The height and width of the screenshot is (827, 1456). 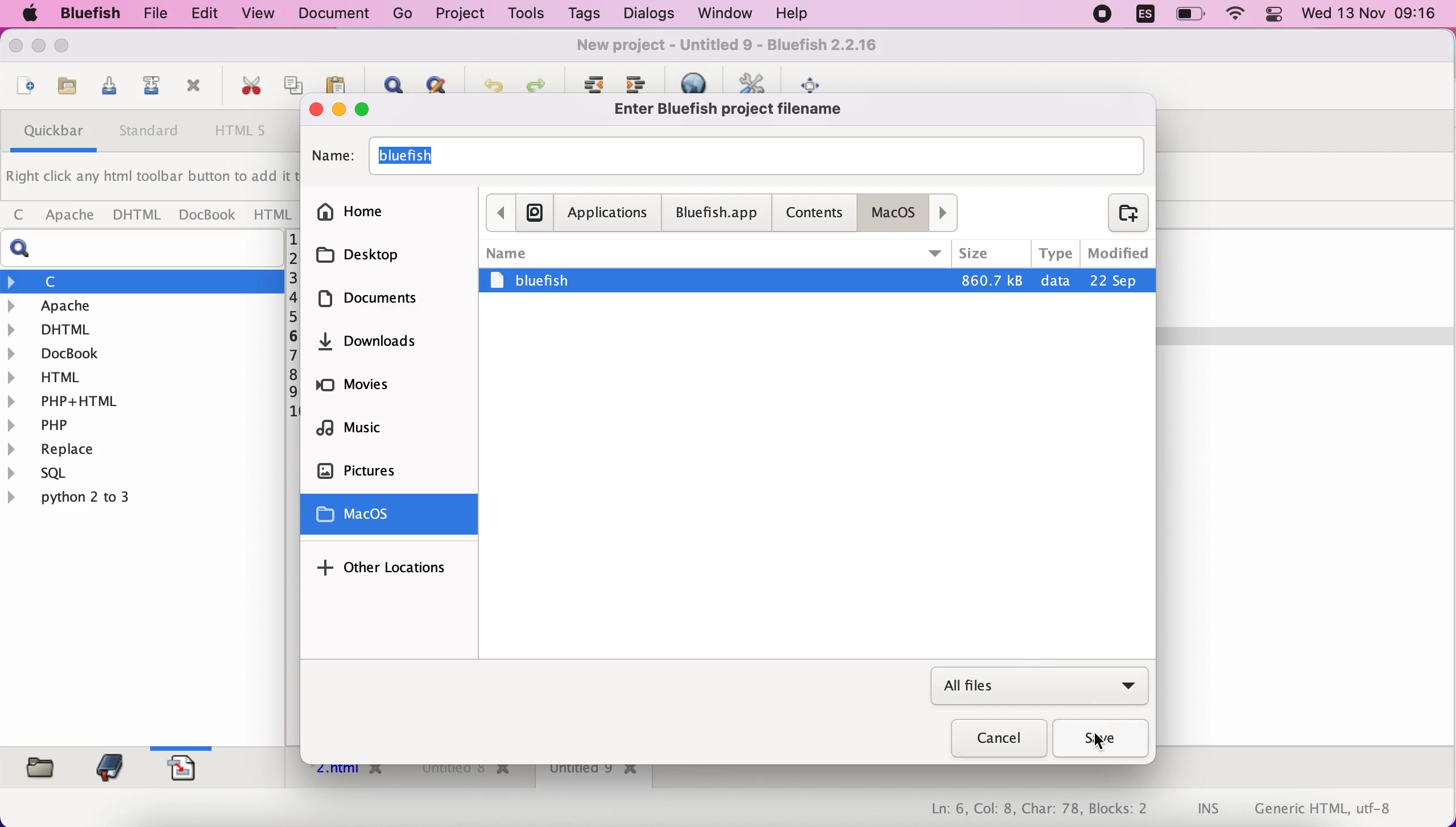 I want to click on maximize, so click(x=372, y=109).